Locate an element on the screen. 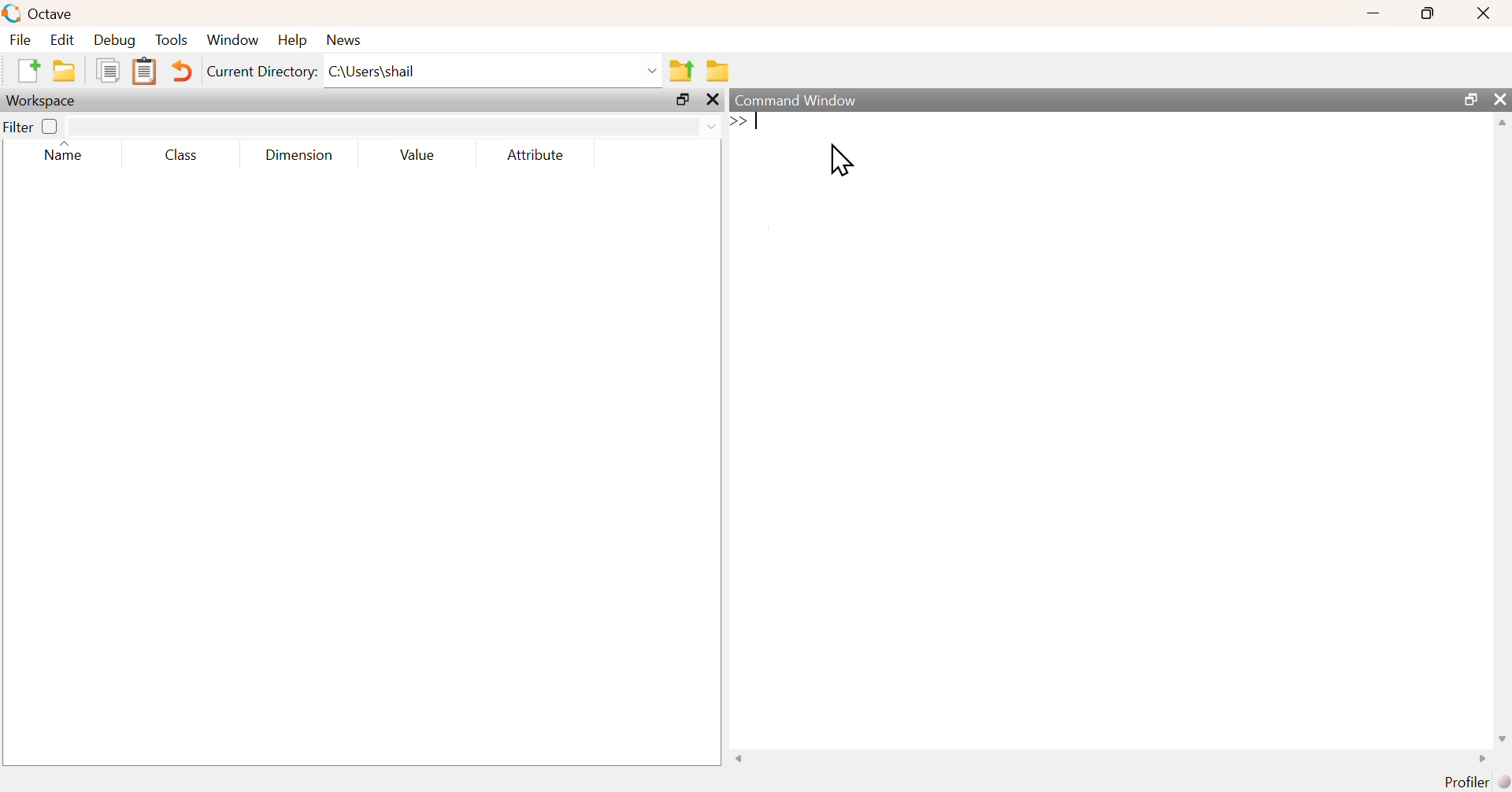  Edit is located at coordinates (61, 39).